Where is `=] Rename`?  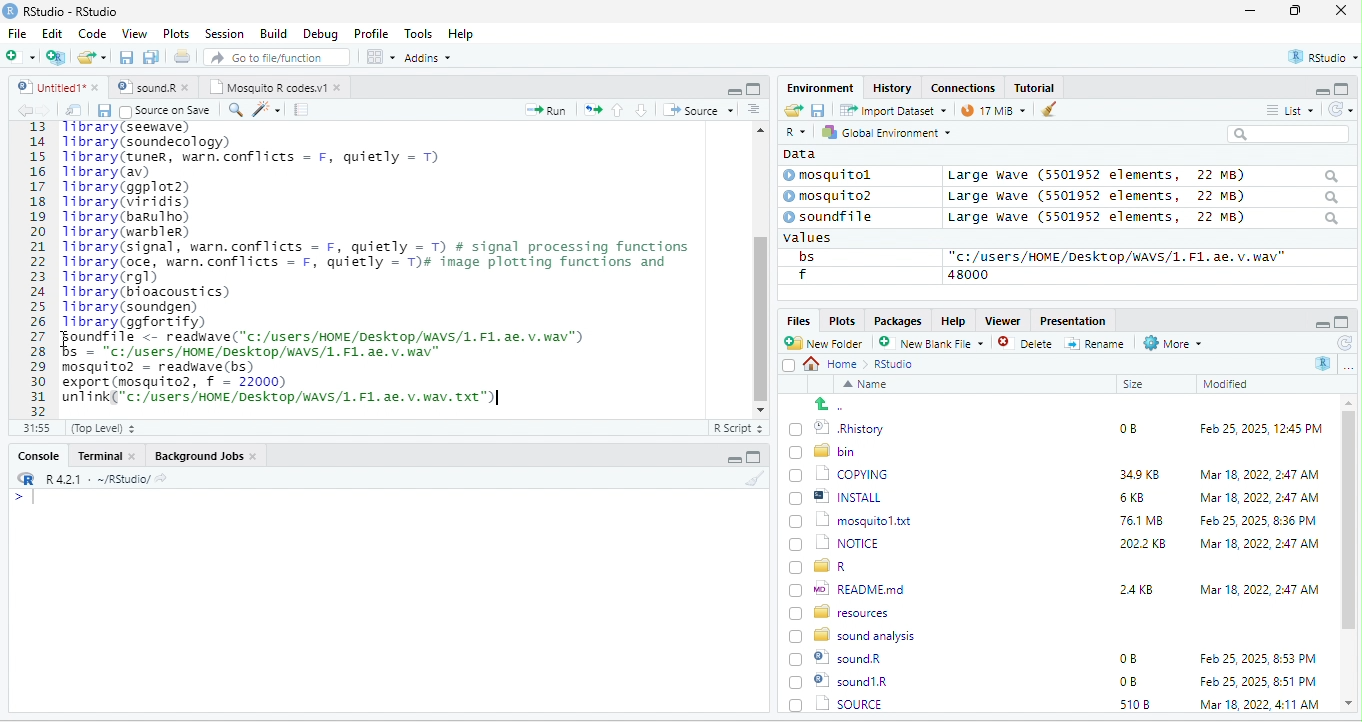
=] Rename is located at coordinates (1096, 343).